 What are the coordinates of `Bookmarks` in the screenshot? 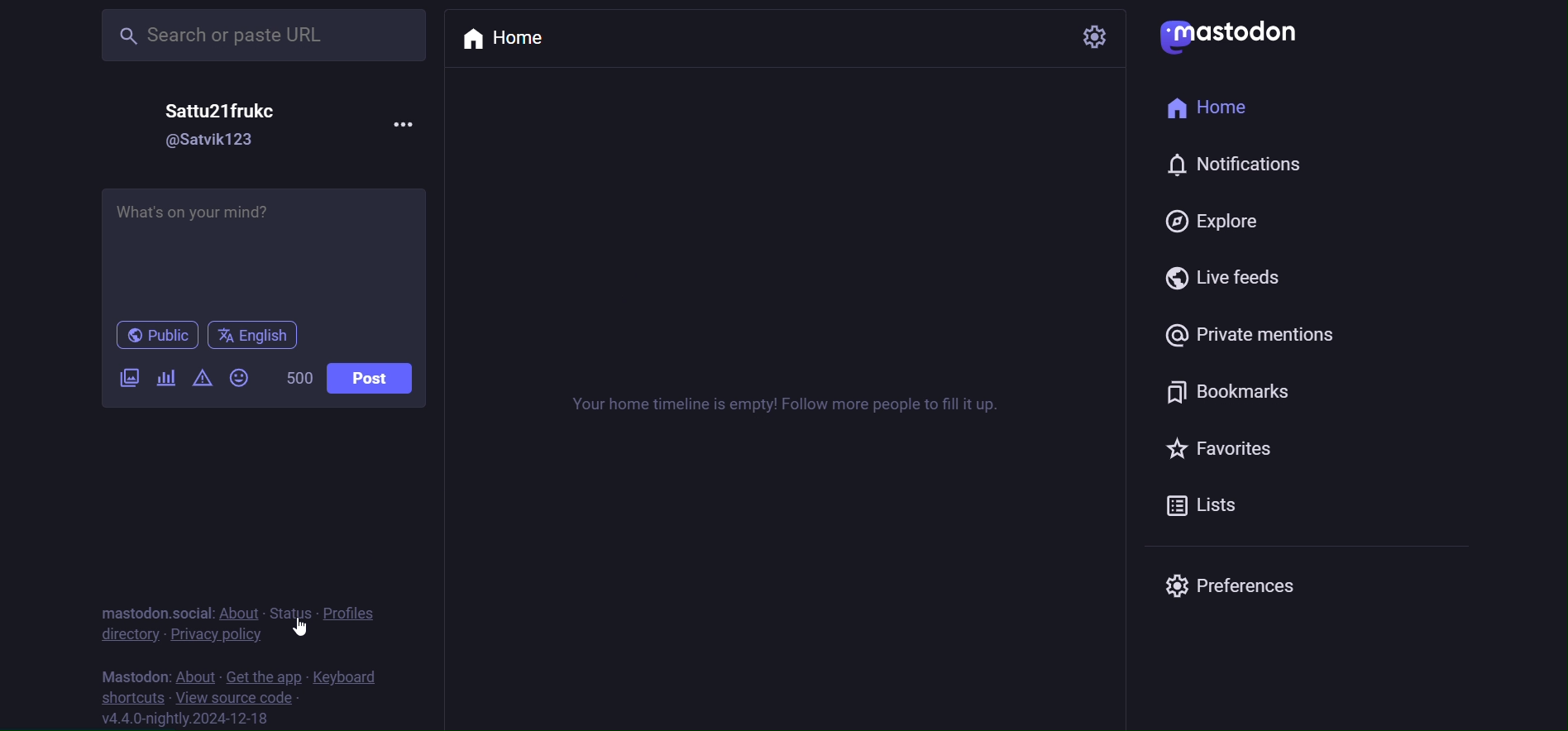 It's located at (1226, 396).